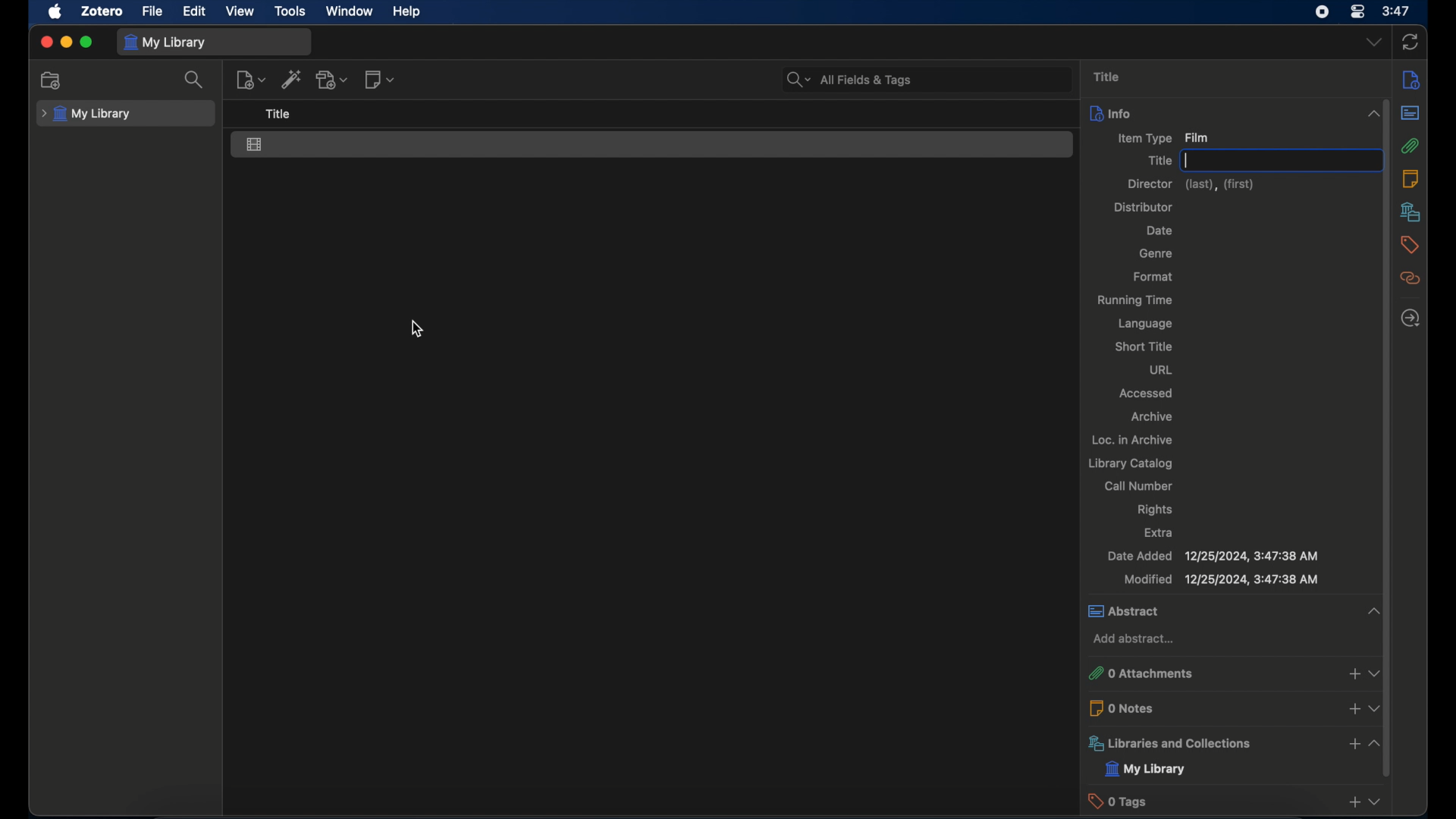  Describe the element at coordinates (1359, 12) in the screenshot. I see `control center` at that location.